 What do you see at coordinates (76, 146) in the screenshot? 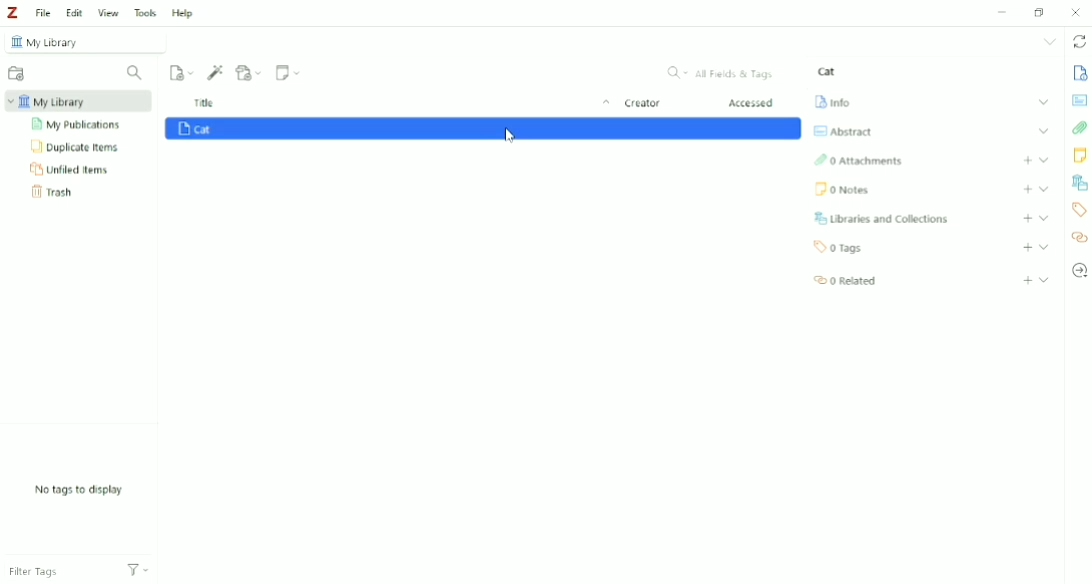
I see `Duplicate Items` at bounding box center [76, 146].